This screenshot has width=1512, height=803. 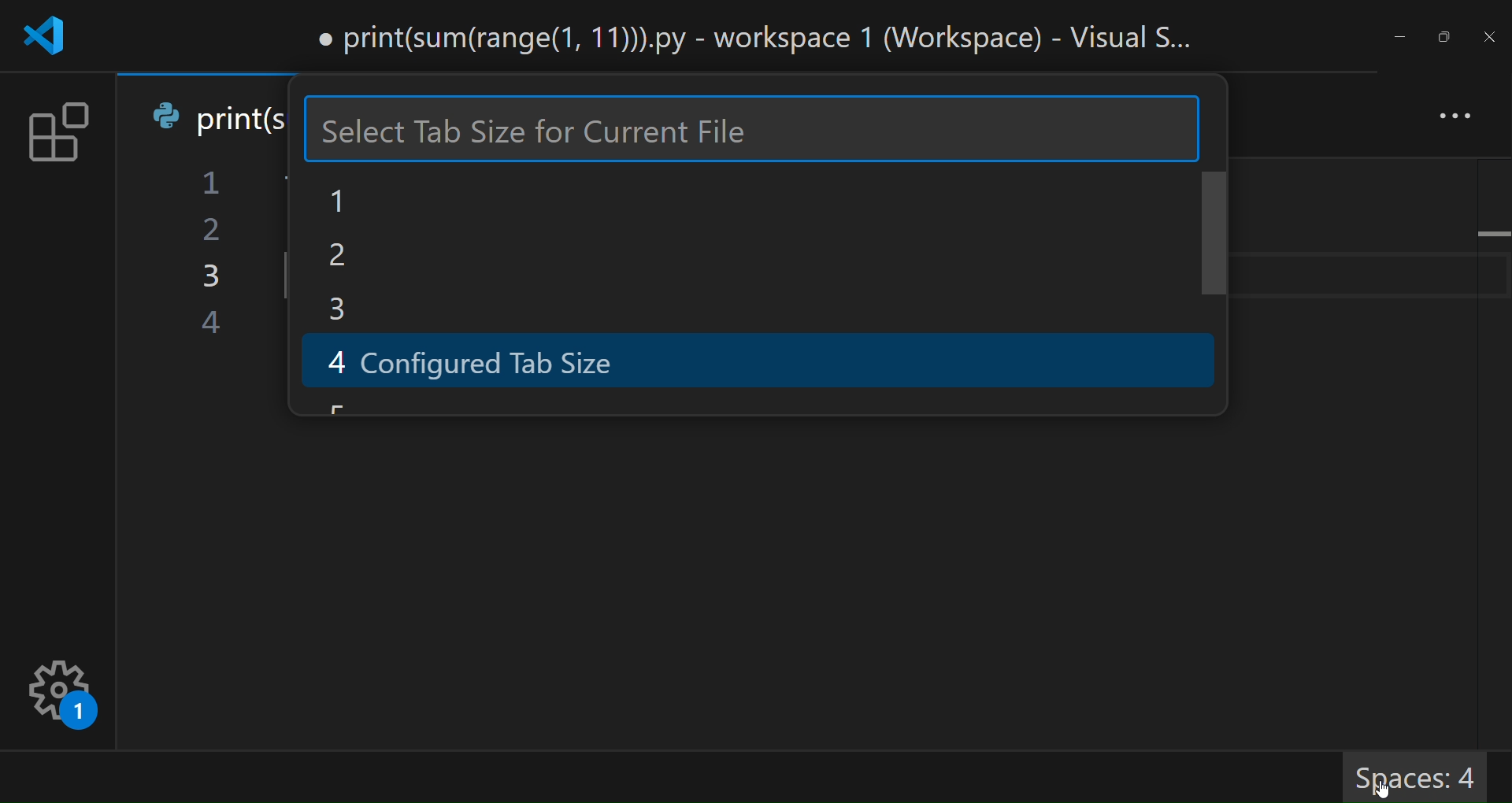 I want to click on type size here, so click(x=754, y=131).